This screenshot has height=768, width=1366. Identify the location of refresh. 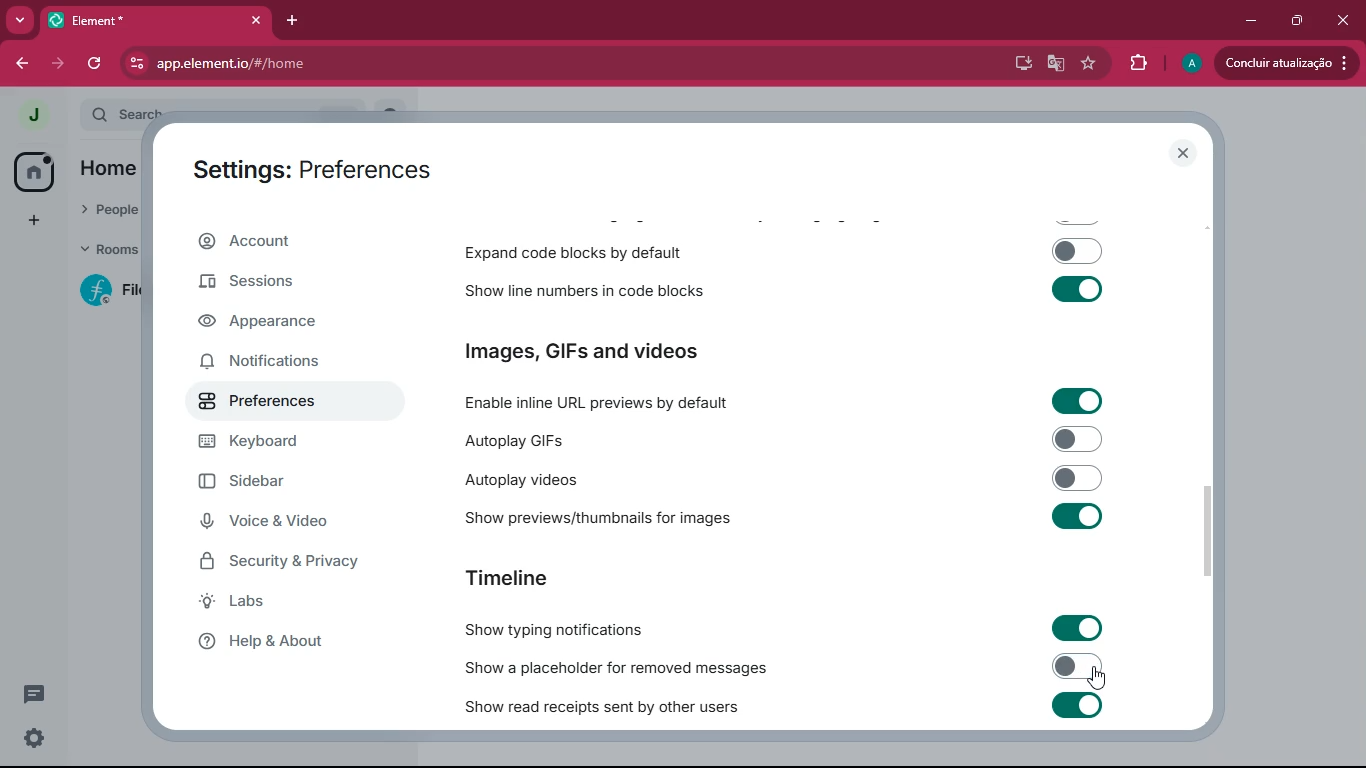
(96, 64).